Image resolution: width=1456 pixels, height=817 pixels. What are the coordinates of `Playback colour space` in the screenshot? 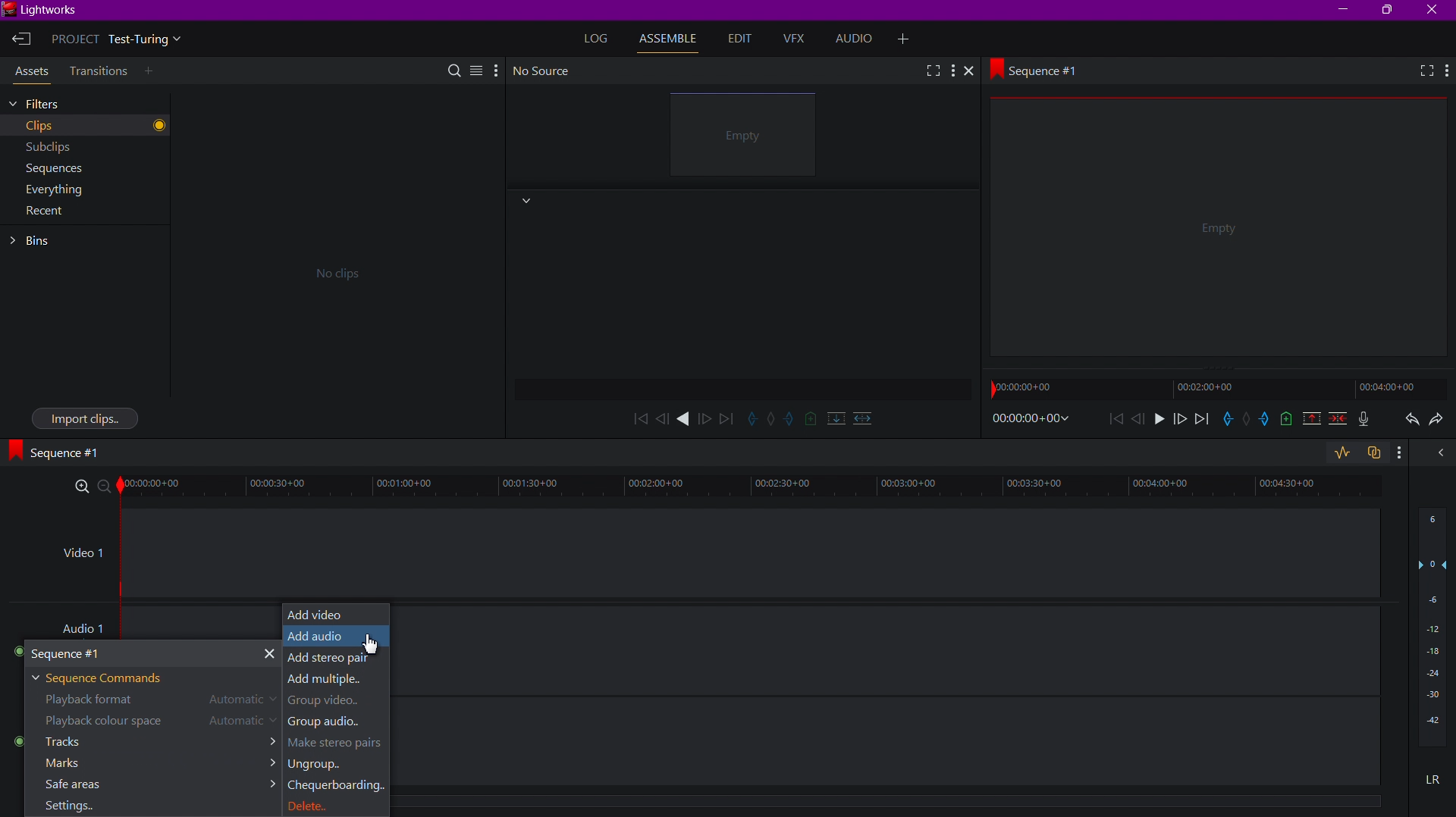 It's located at (101, 722).